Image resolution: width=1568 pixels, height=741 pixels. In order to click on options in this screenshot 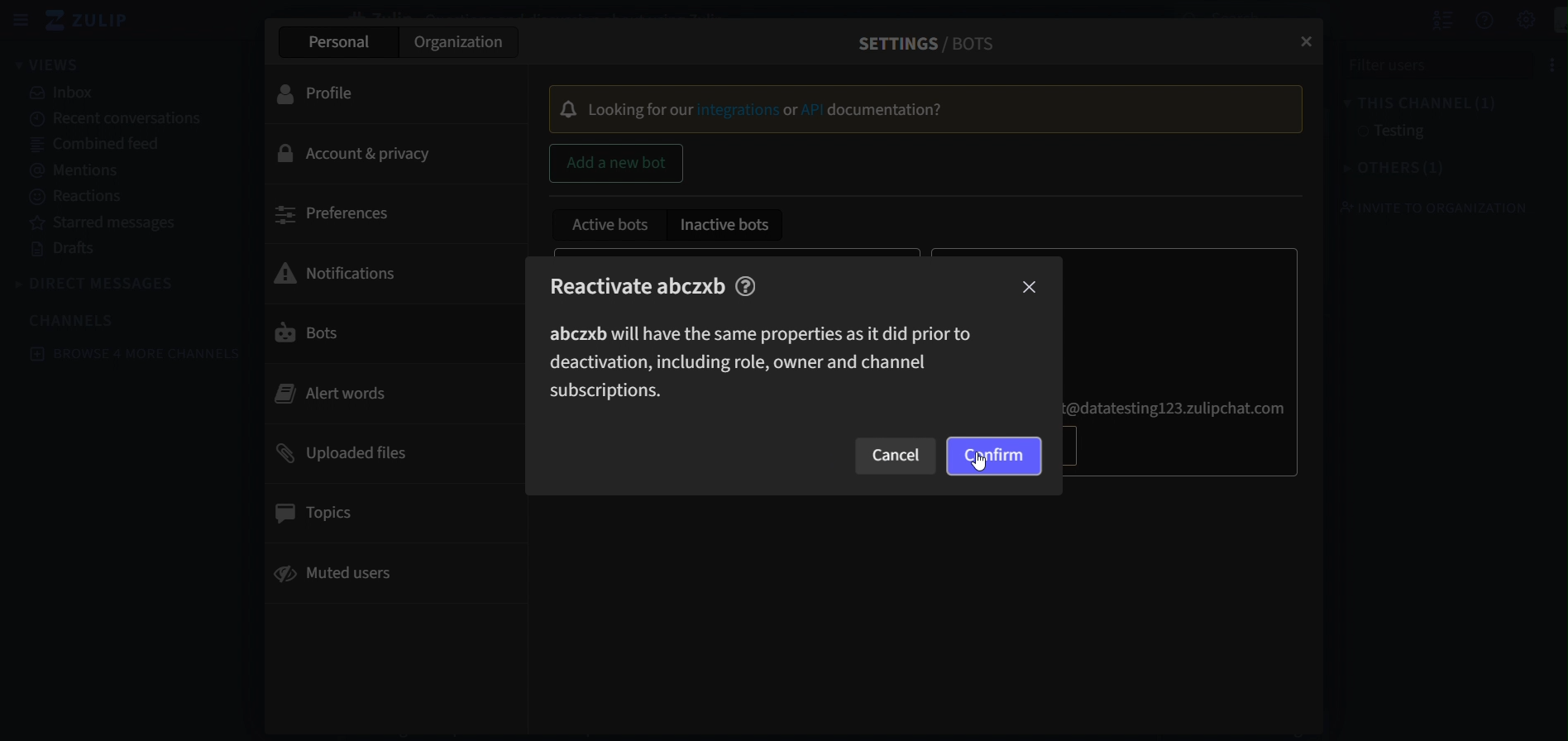, I will do `click(1540, 66)`.